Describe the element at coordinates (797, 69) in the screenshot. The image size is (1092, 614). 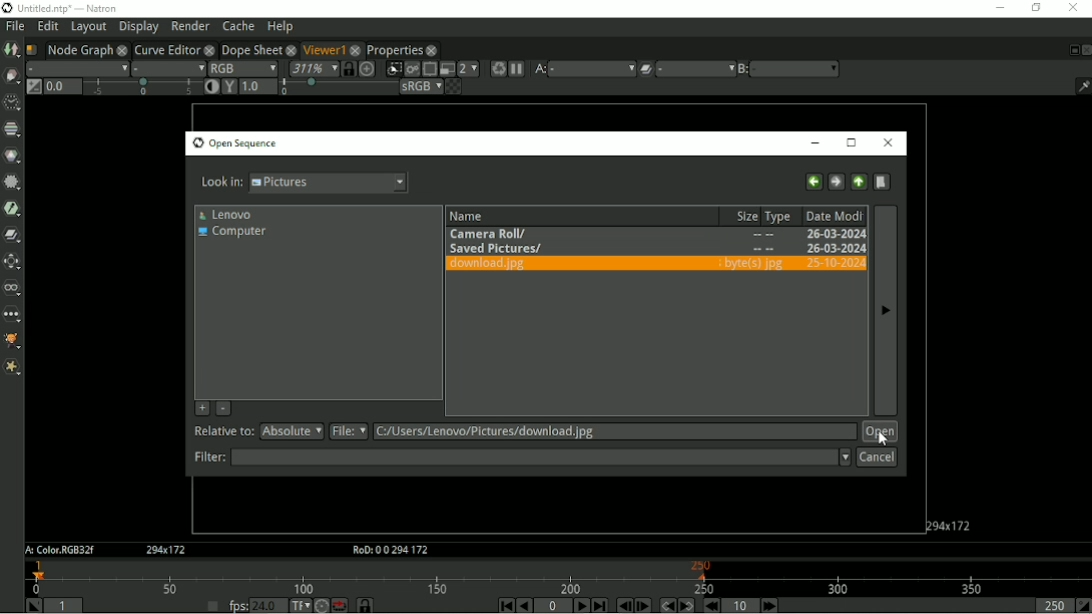
I see `b menu` at that location.